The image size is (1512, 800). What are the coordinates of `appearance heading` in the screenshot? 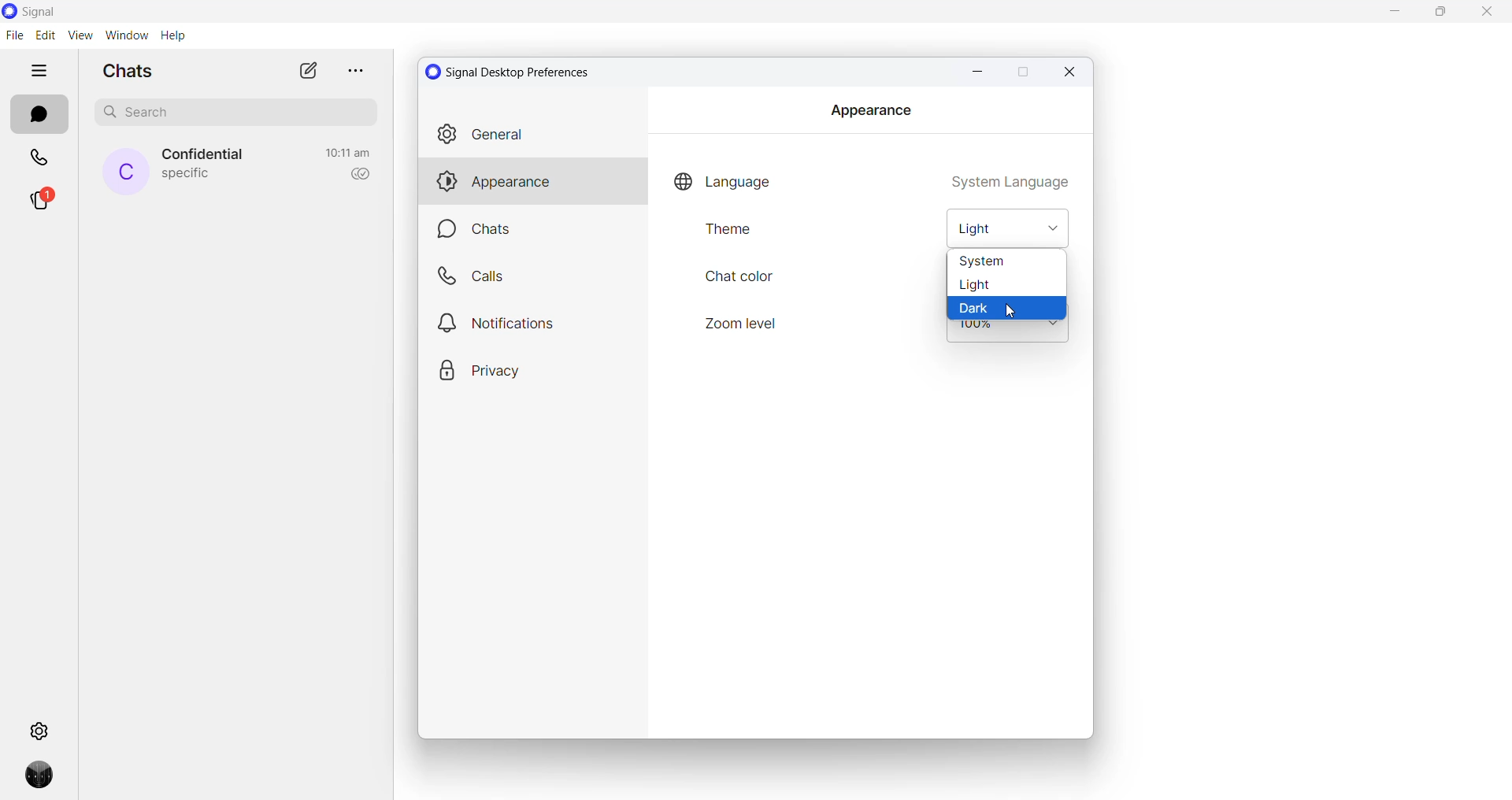 It's located at (870, 110).